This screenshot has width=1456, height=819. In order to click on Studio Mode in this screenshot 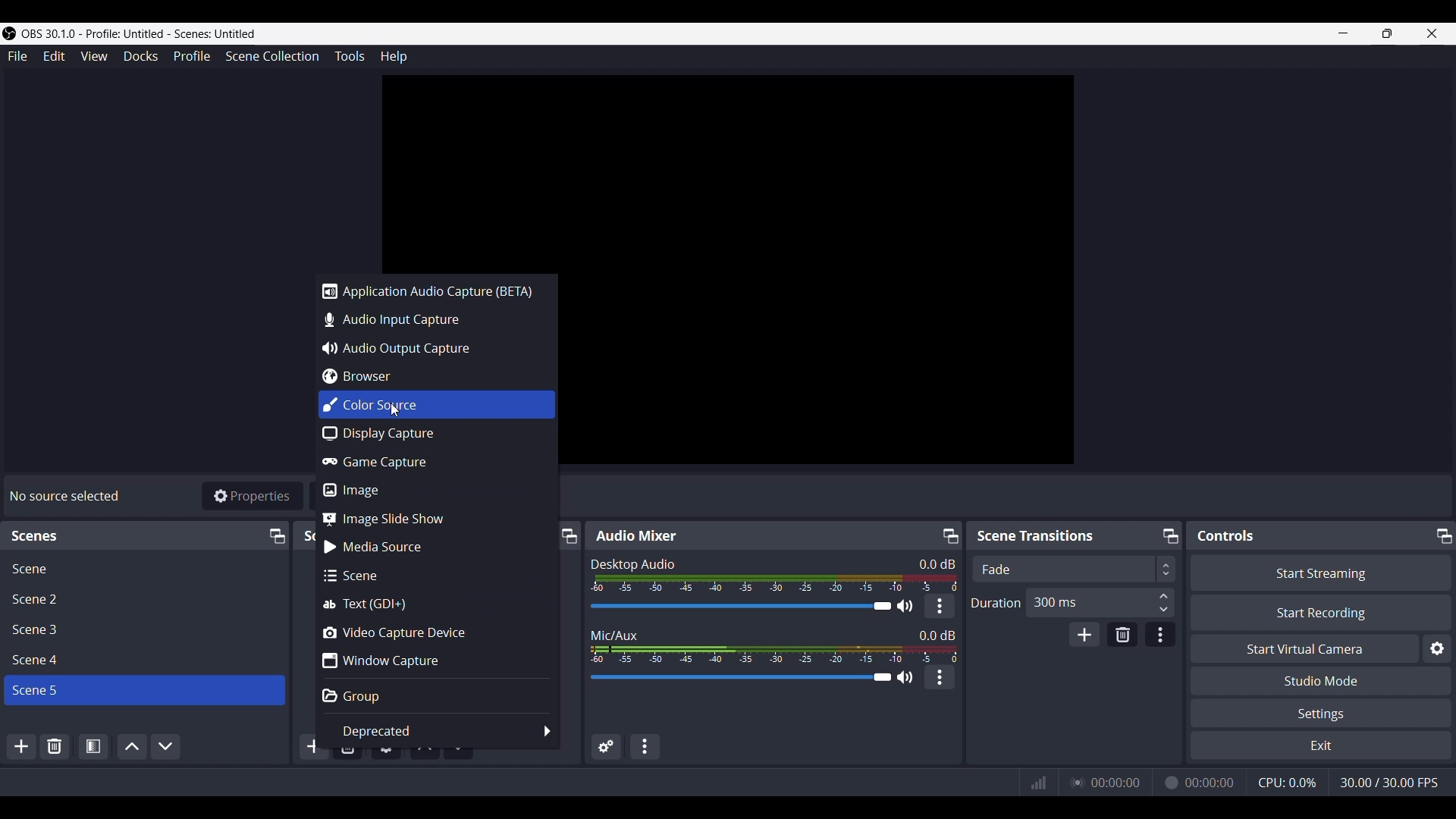, I will do `click(1322, 680)`.